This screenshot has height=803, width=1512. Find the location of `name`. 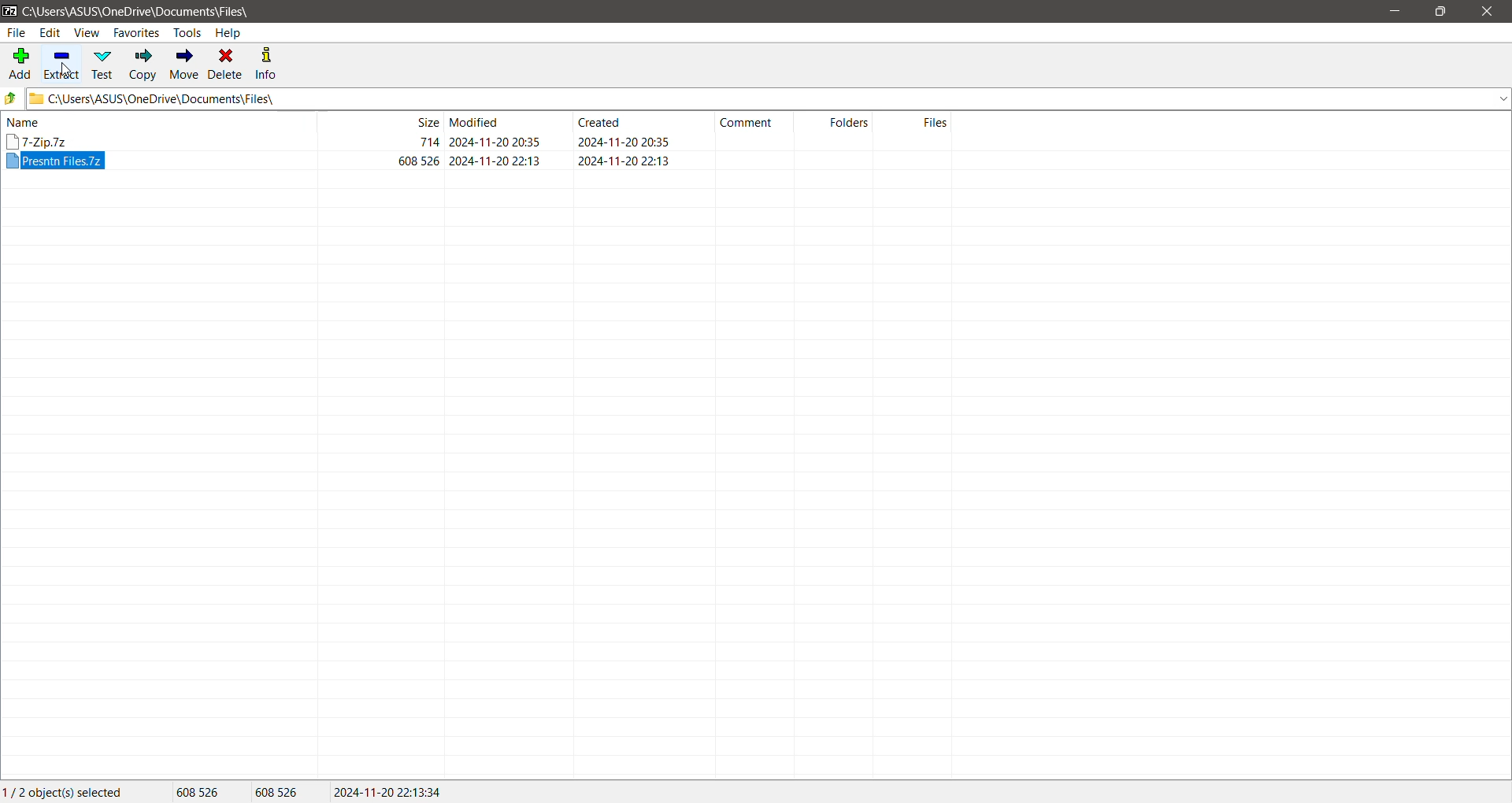

name is located at coordinates (24, 122).